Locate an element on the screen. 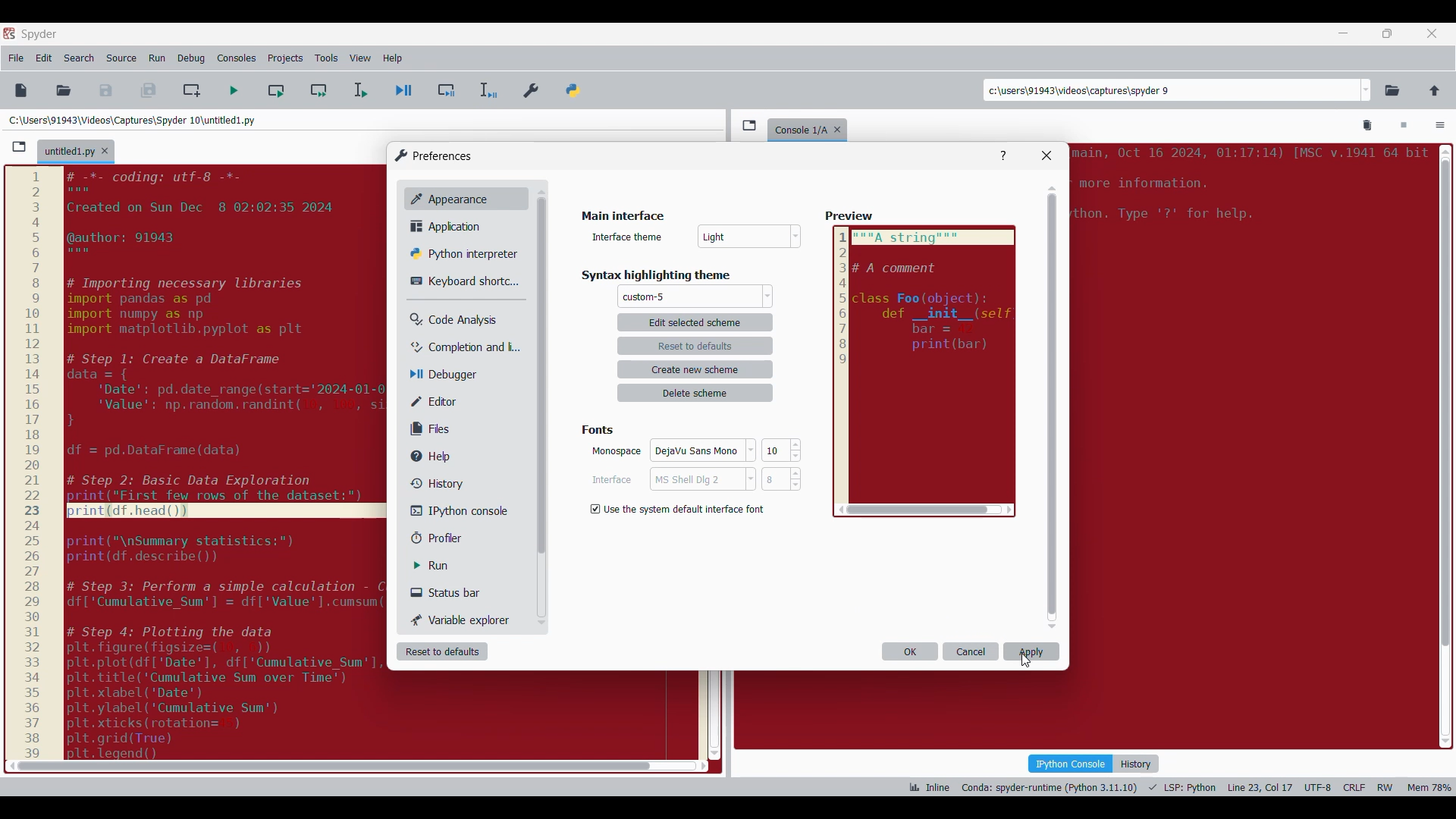 Image resolution: width=1456 pixels, height=819 pixels. reset to defaults is located at coordinates (695, 345).